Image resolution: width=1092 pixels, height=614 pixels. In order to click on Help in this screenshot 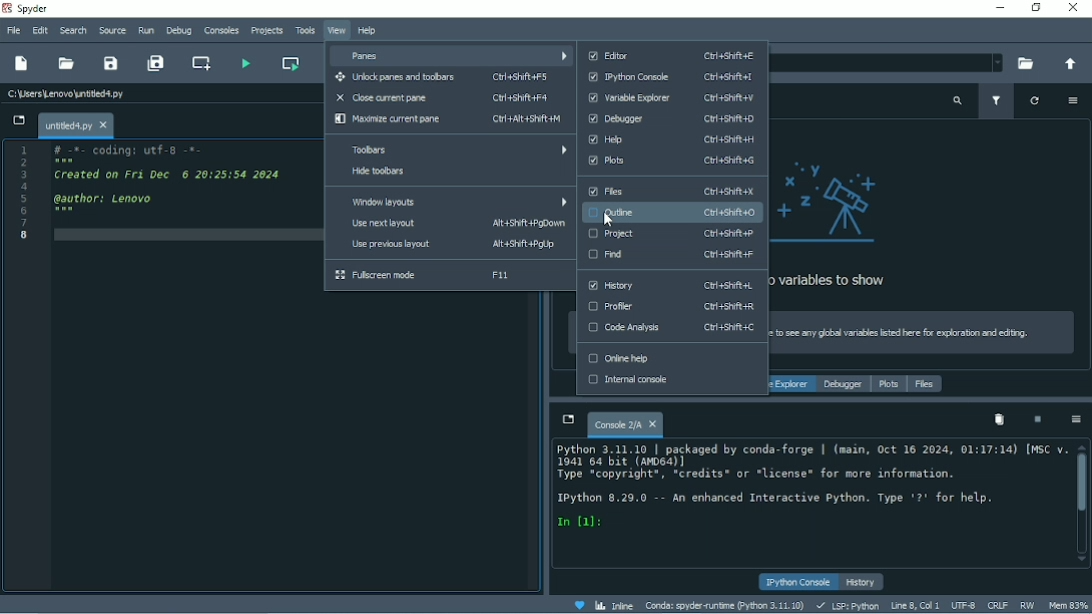, I will do `click(368, 31)`.